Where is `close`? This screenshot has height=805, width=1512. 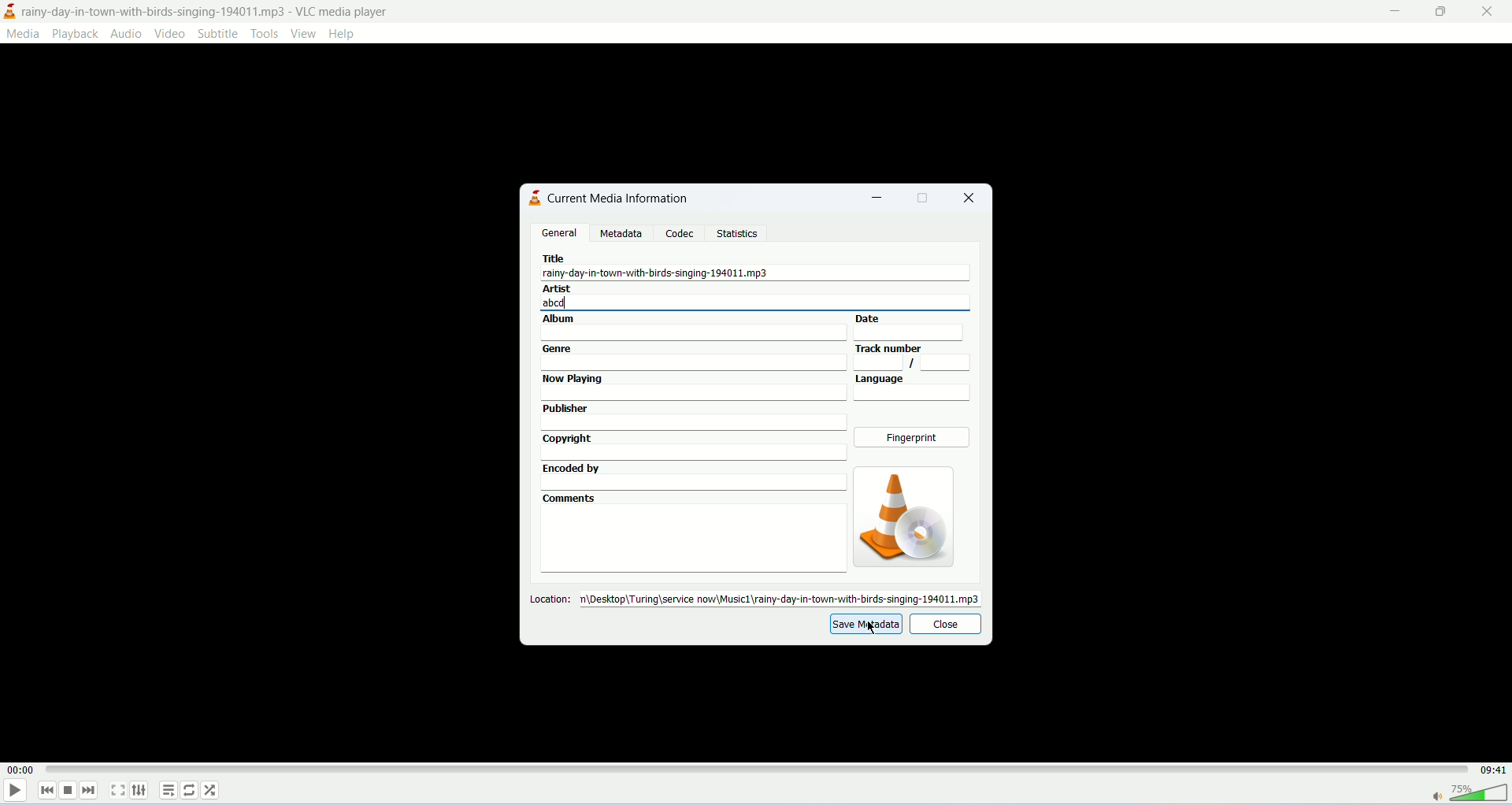
close is located at coordinates (944, 624).